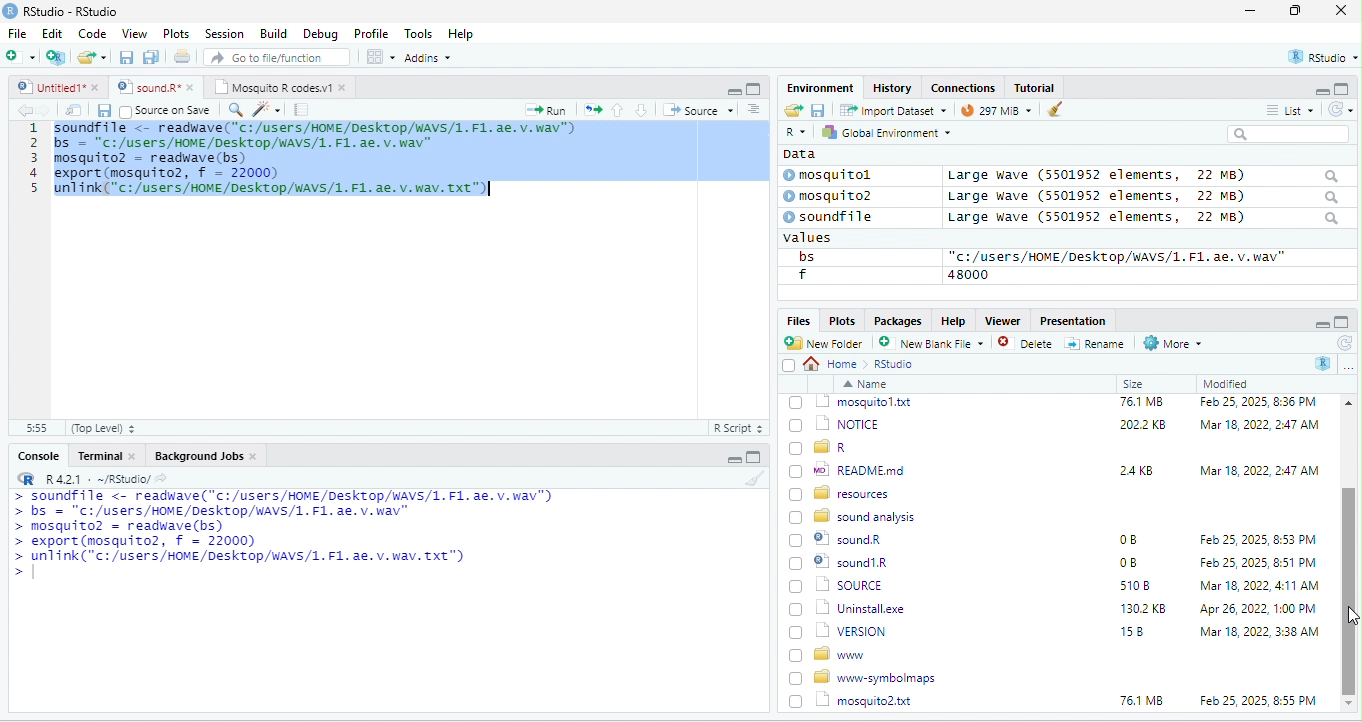 Image resolution: width=1362 pixels, height=722 pixels. I want to click on Mar 18, 2022, 2:47 AM, so click(1254, 499).